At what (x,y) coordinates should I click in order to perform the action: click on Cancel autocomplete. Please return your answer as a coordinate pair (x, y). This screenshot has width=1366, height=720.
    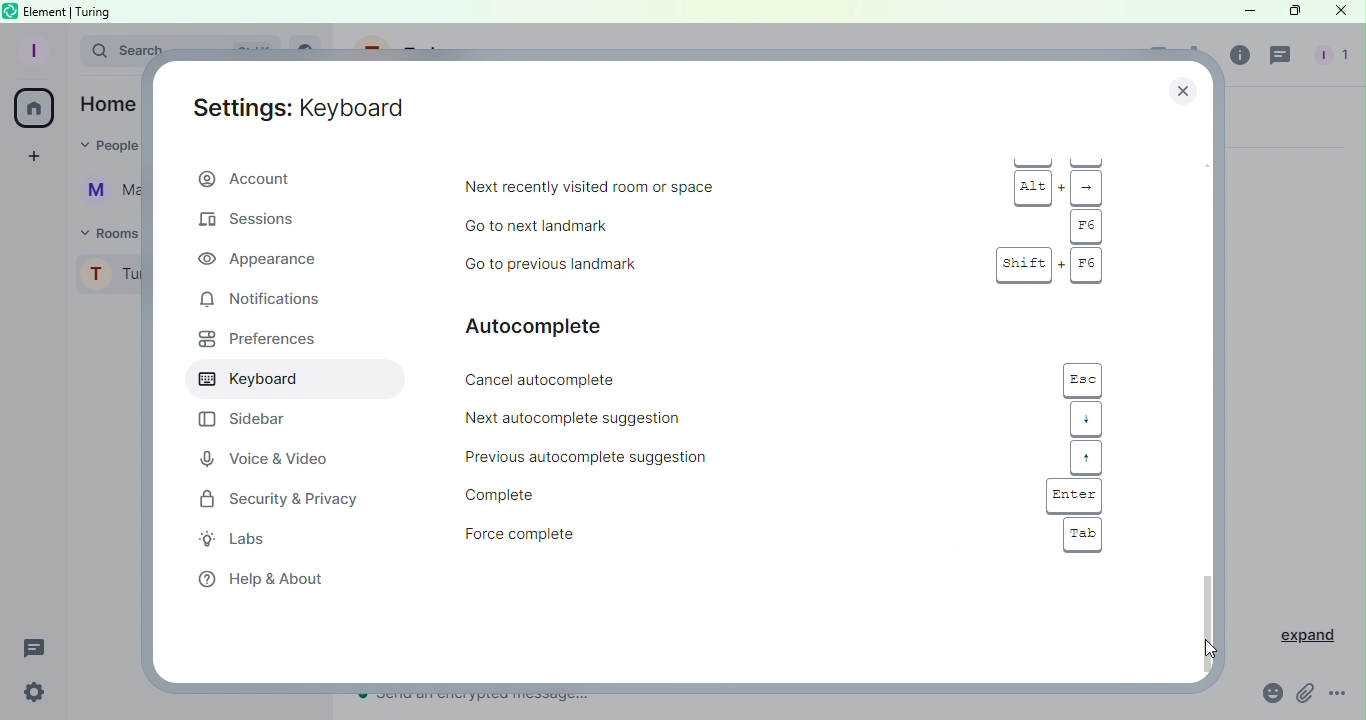
    Looking at the image, I should click on (637, 379).